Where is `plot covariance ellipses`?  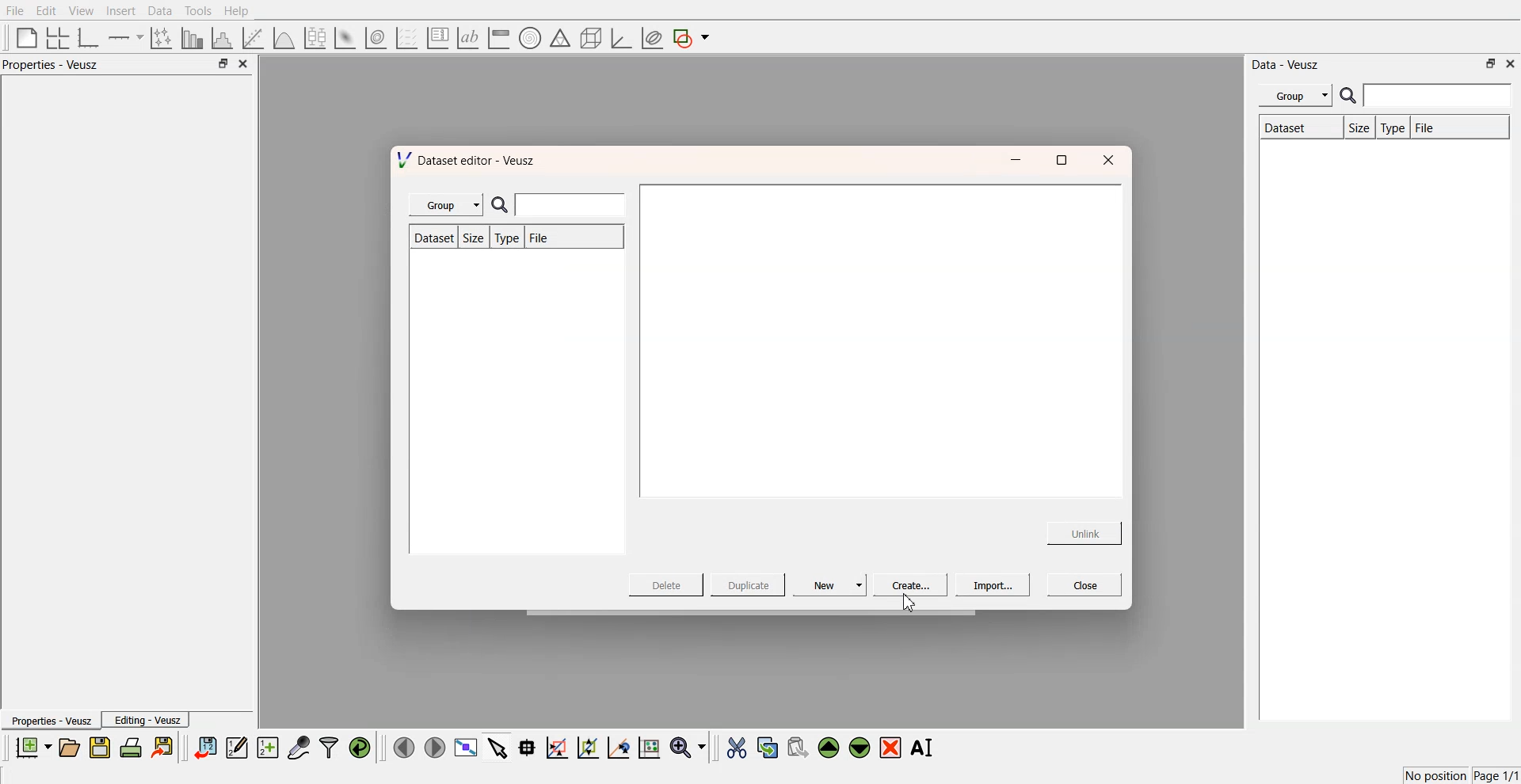
plot covariance ellipses is located at coordinates (651, 39).